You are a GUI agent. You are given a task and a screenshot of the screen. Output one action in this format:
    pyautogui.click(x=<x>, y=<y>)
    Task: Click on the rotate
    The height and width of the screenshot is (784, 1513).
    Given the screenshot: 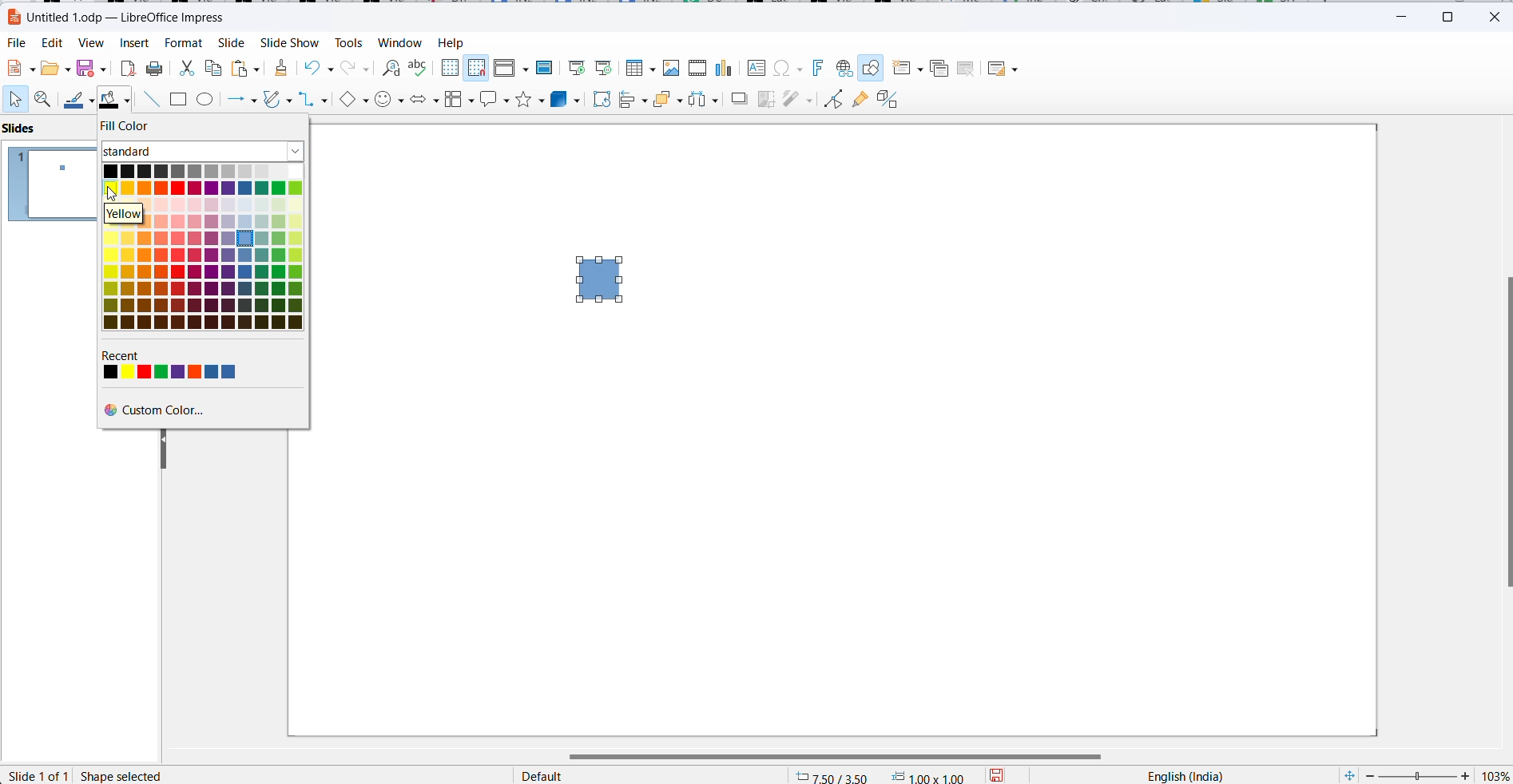 What is the action you would take?
    pyautogui.click(x=599, y=100)
    